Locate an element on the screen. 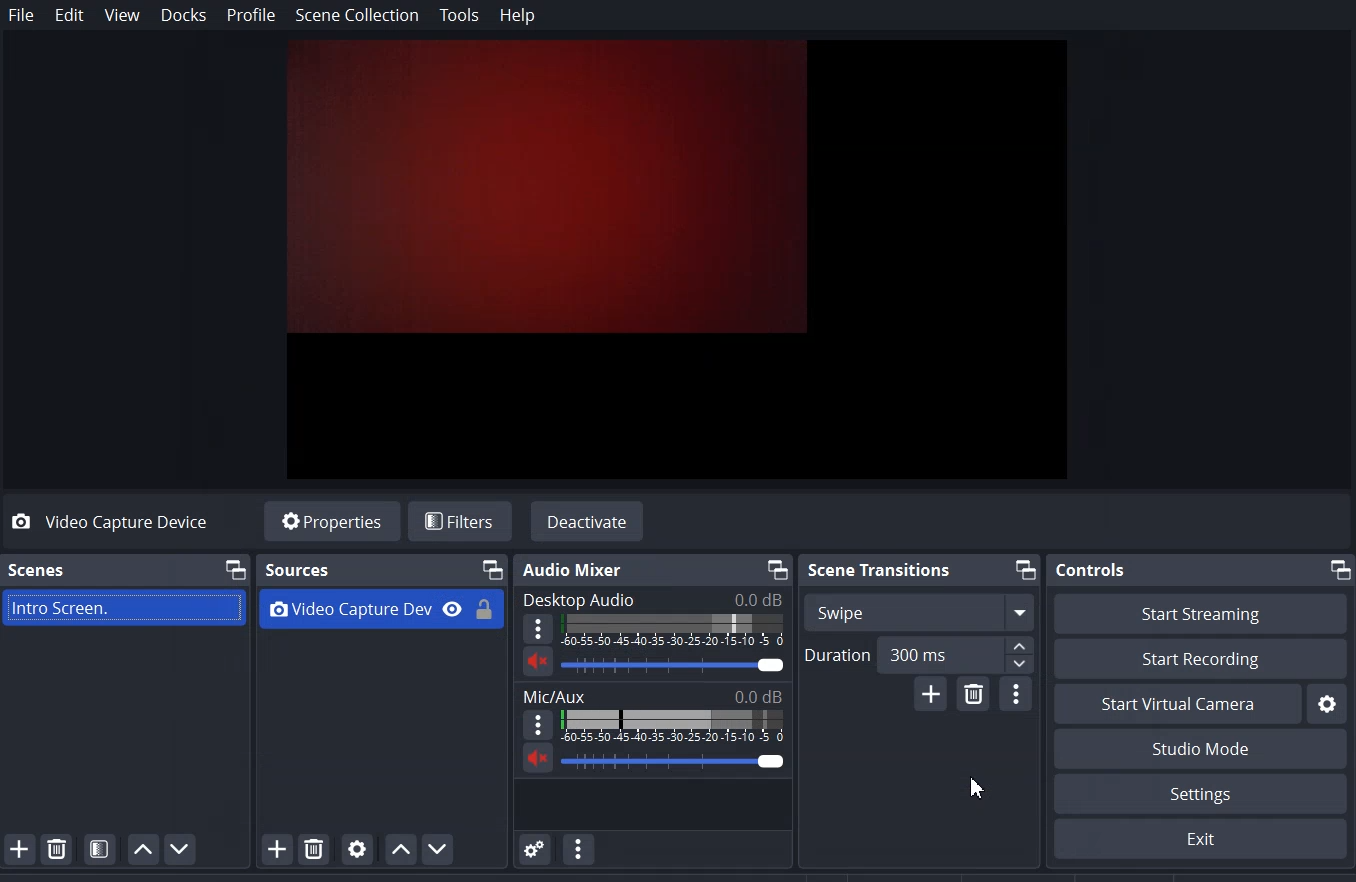 The image size is (1356, 882). Intro screen is located at coordinates (126, 606).